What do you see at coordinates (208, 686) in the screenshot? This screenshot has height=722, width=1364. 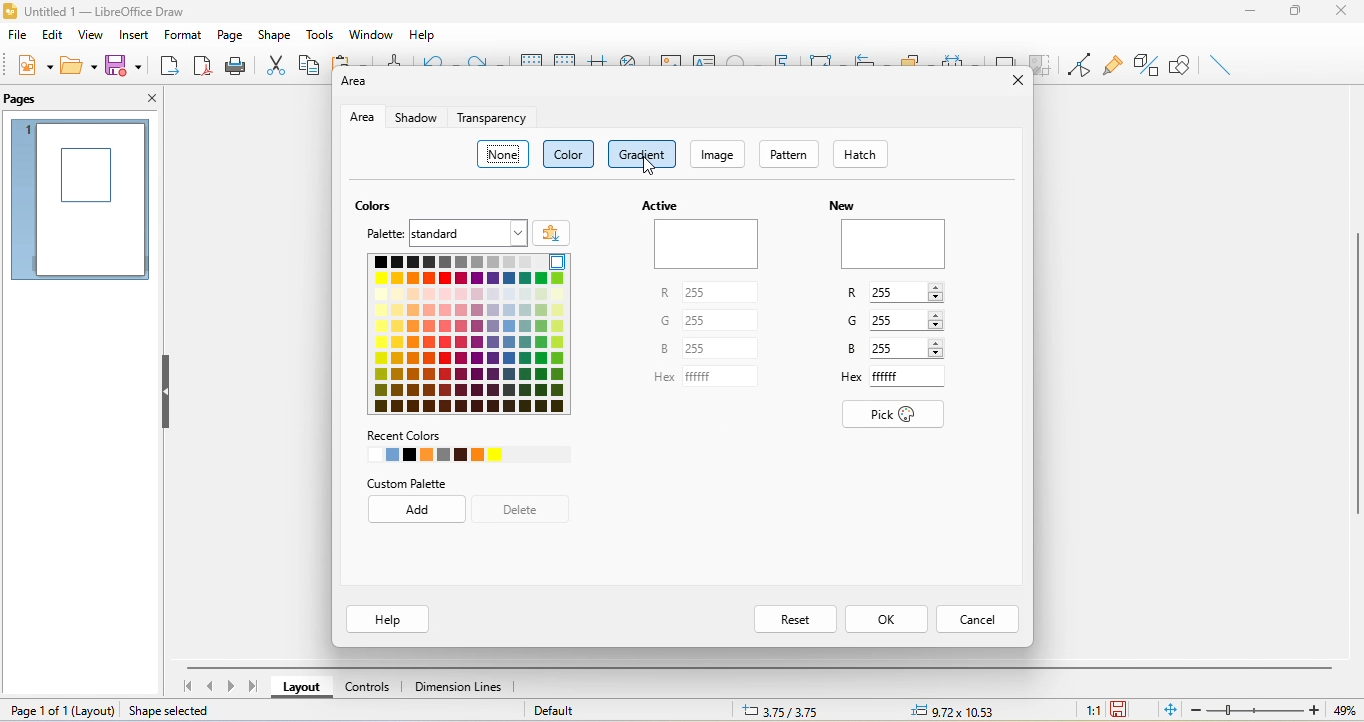 I see `previous page` at bounding box center [208, 686].